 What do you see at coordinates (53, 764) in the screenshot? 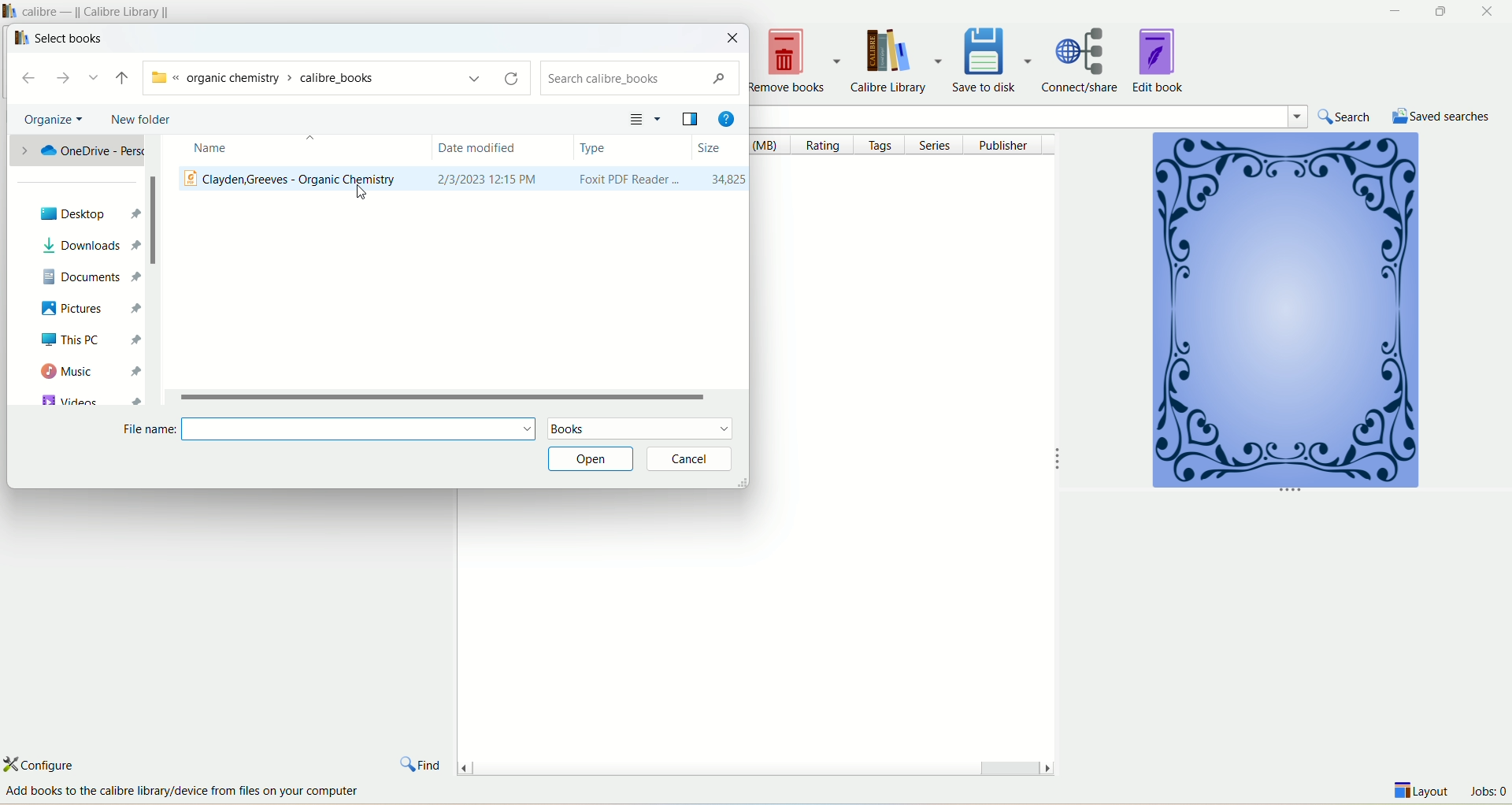
I see `configure` at bounding box center [53, 764].